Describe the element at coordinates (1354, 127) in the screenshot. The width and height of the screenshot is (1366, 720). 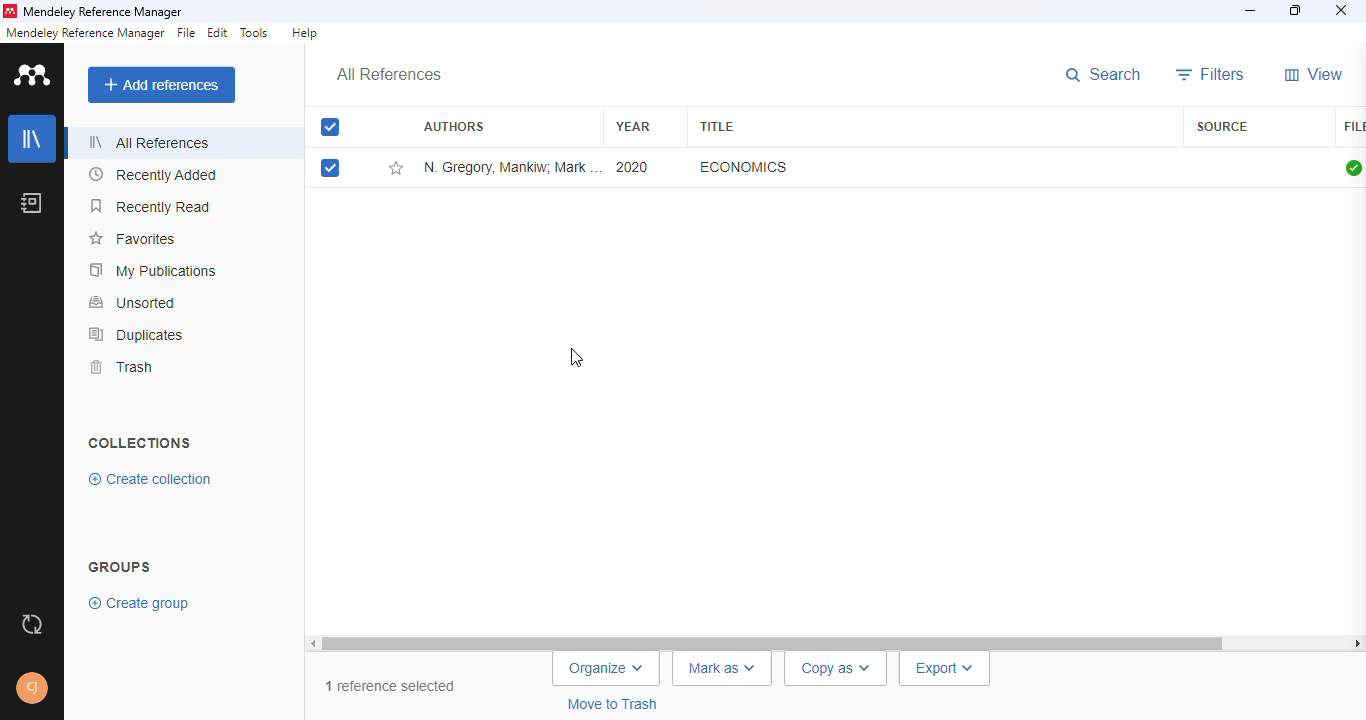
I see `file` at that location.